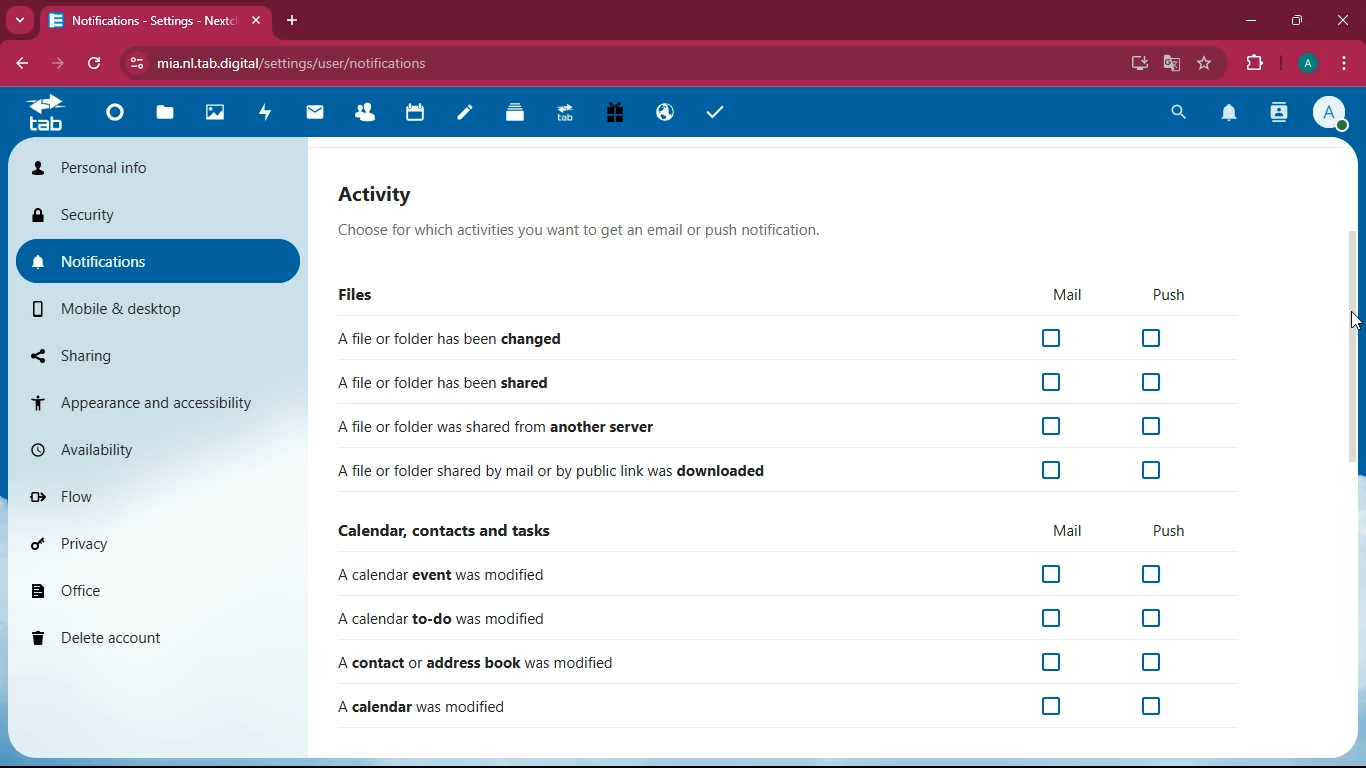 The height and width of the screenshot is (768, 1366). What do you see at coordinates (119, 115) in the screenshot?
I see `Dashboard` at bounding box center [119, 115].